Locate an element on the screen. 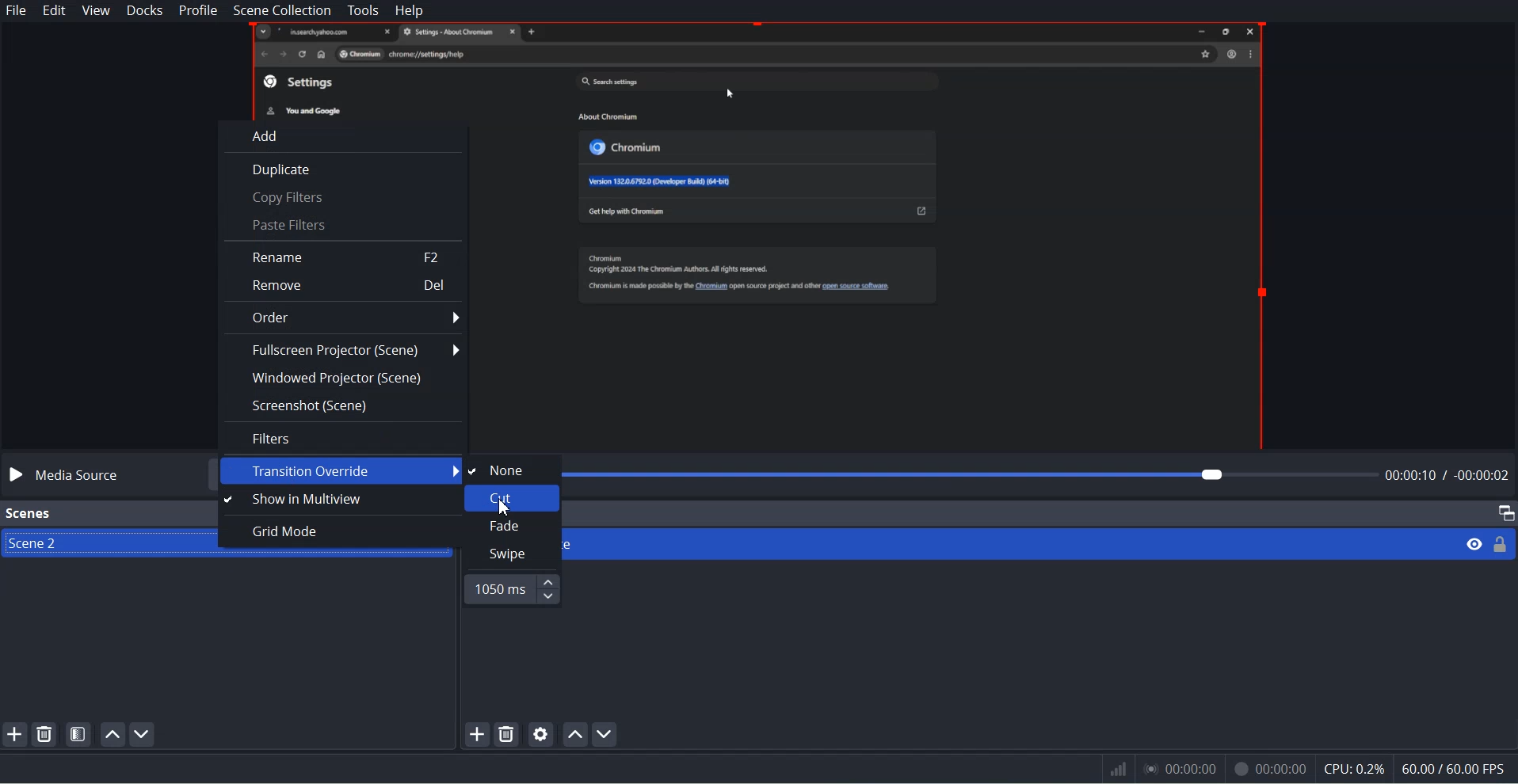 This screenshot has height=784, width=1518. Add SCENE is located at coordinates (14, 733).